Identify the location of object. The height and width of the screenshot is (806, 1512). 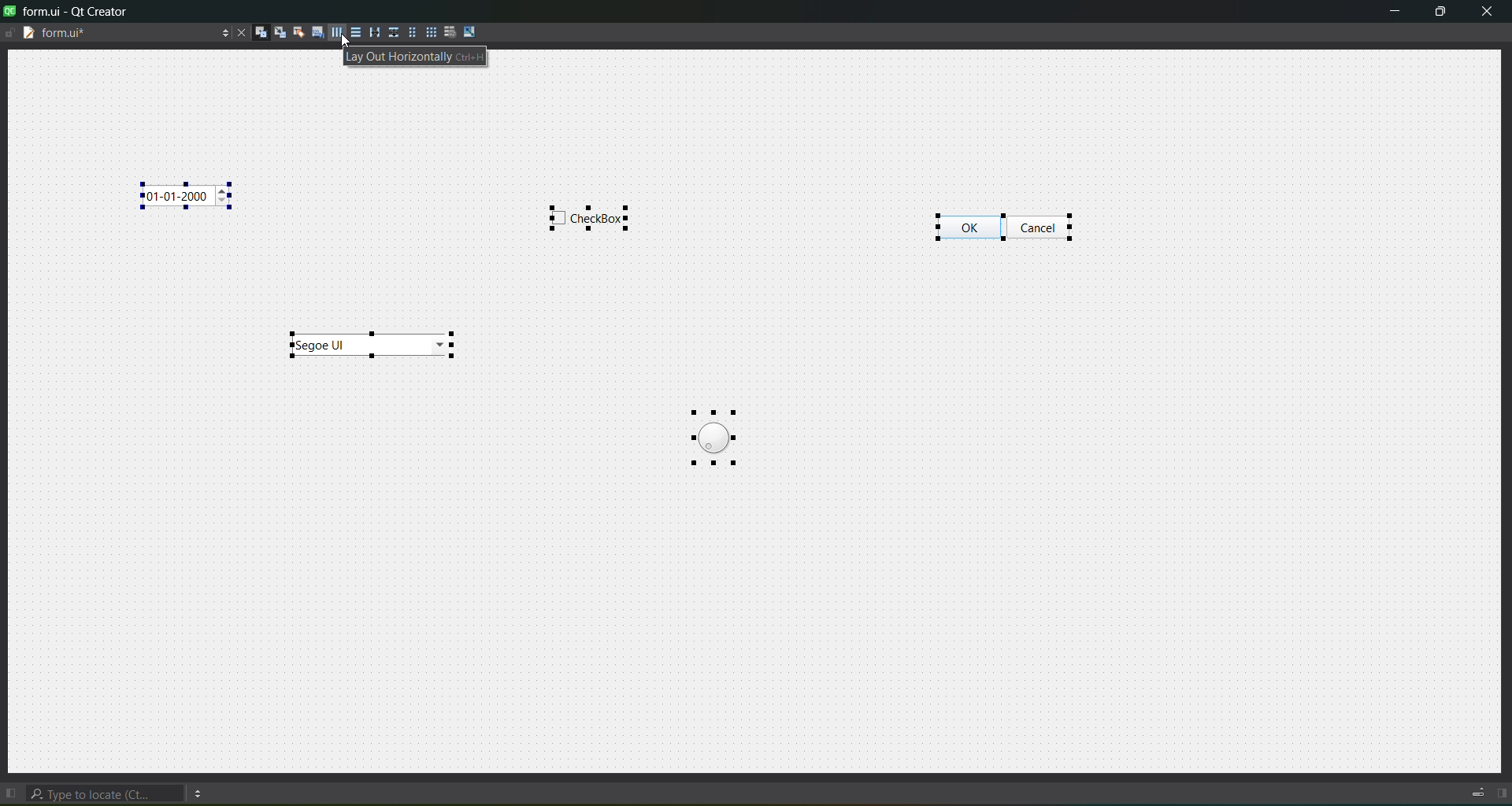
(1043, 217).